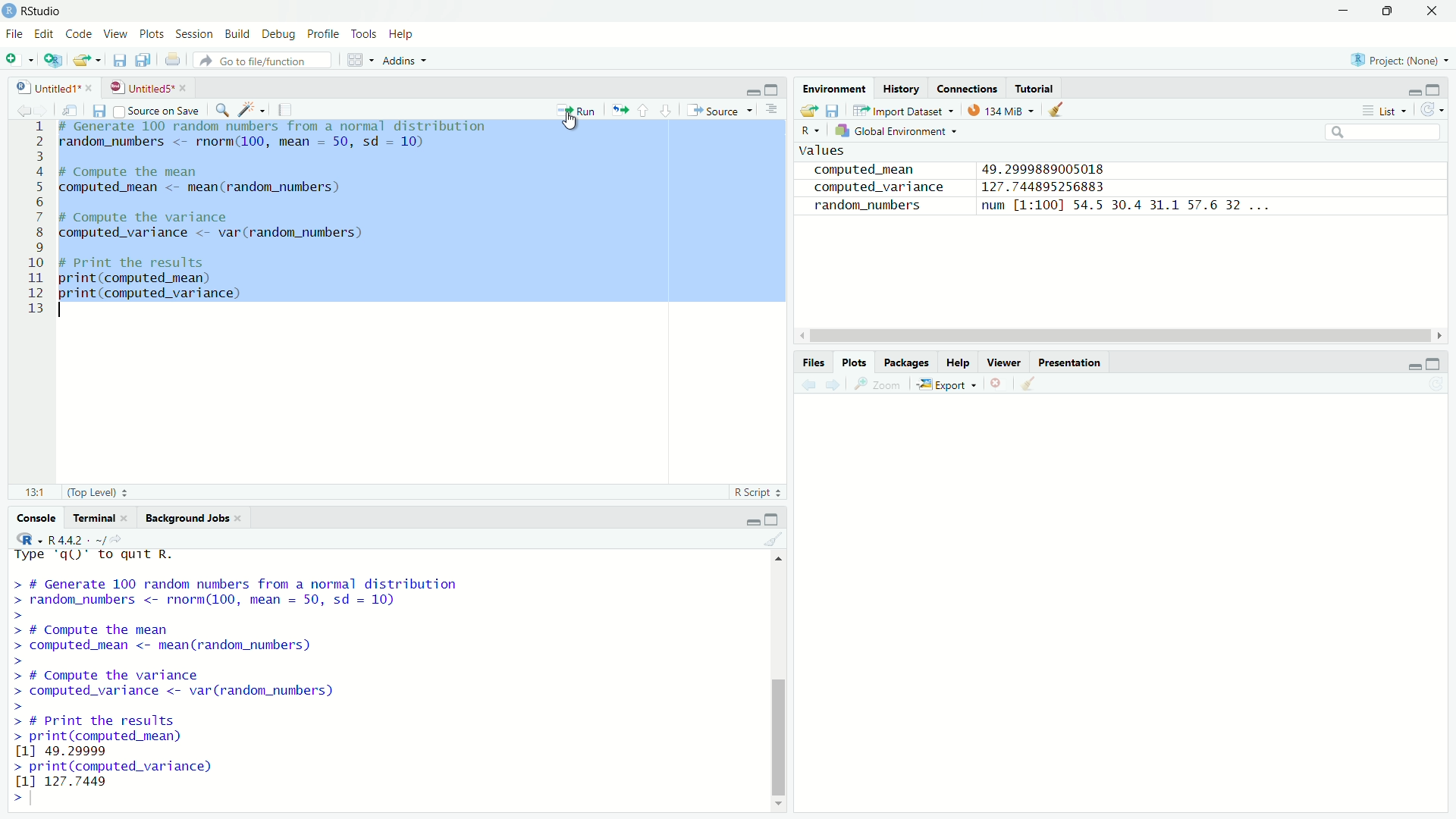 This screenshot has height=819, width=1456. Describe the element at coordinates (1409, 89) in the screenshot. I see `minimize` at that location.